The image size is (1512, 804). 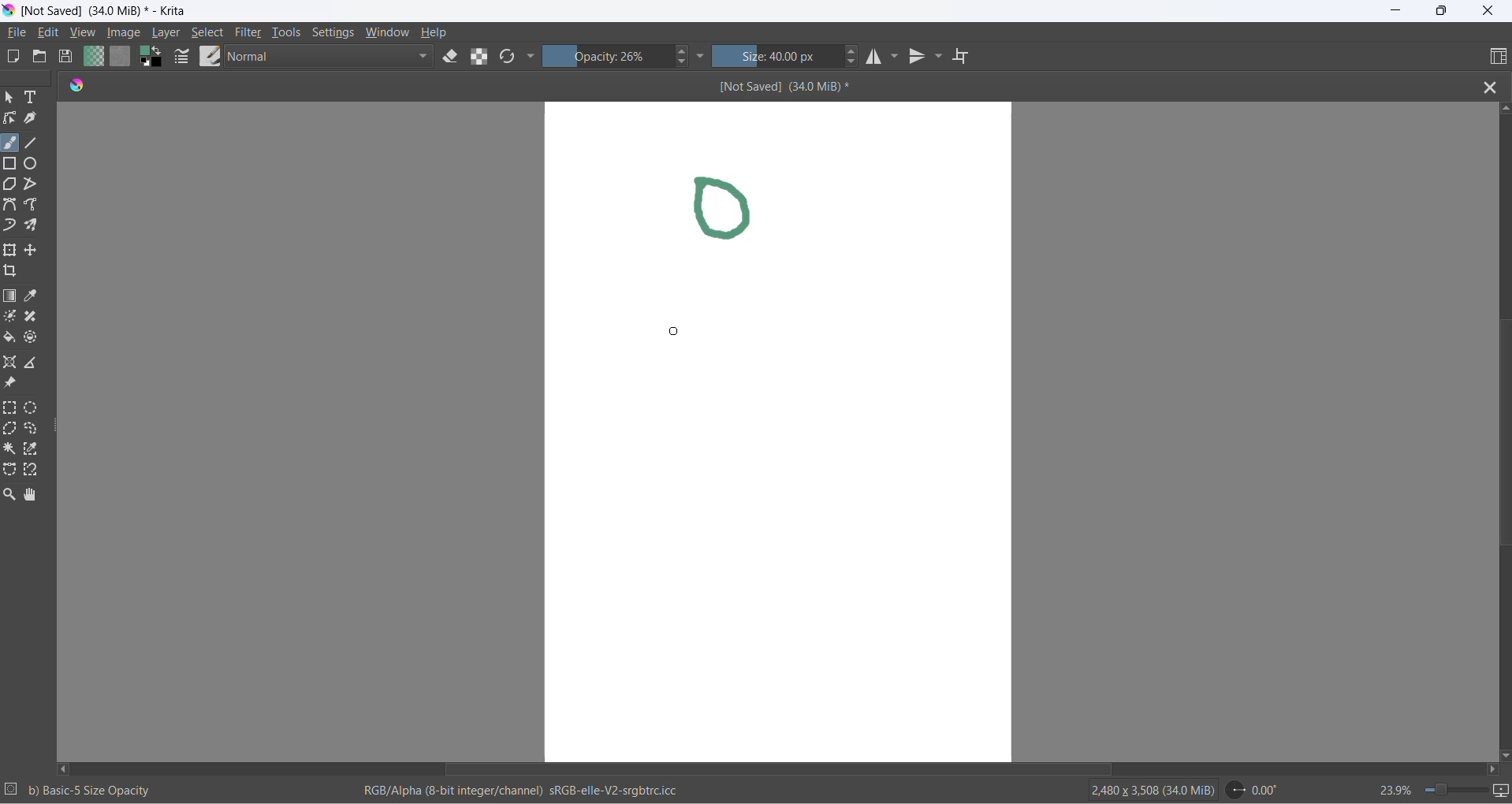 What do you see at coordinates (84, 32) in the screenshot?
I see `view` at bounding box center [84, 32].